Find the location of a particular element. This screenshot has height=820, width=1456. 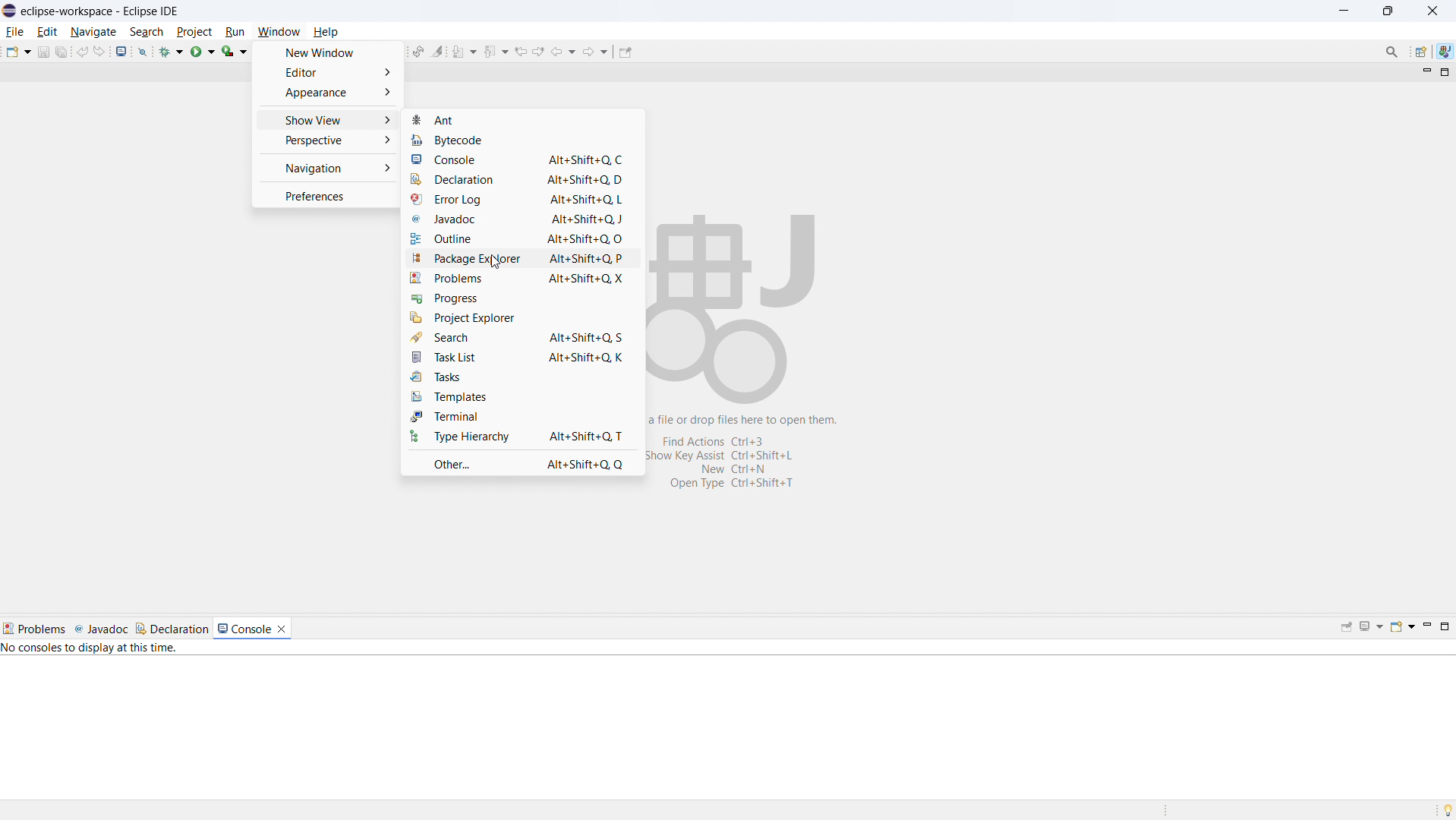

console is located at coordinates (520, 159).